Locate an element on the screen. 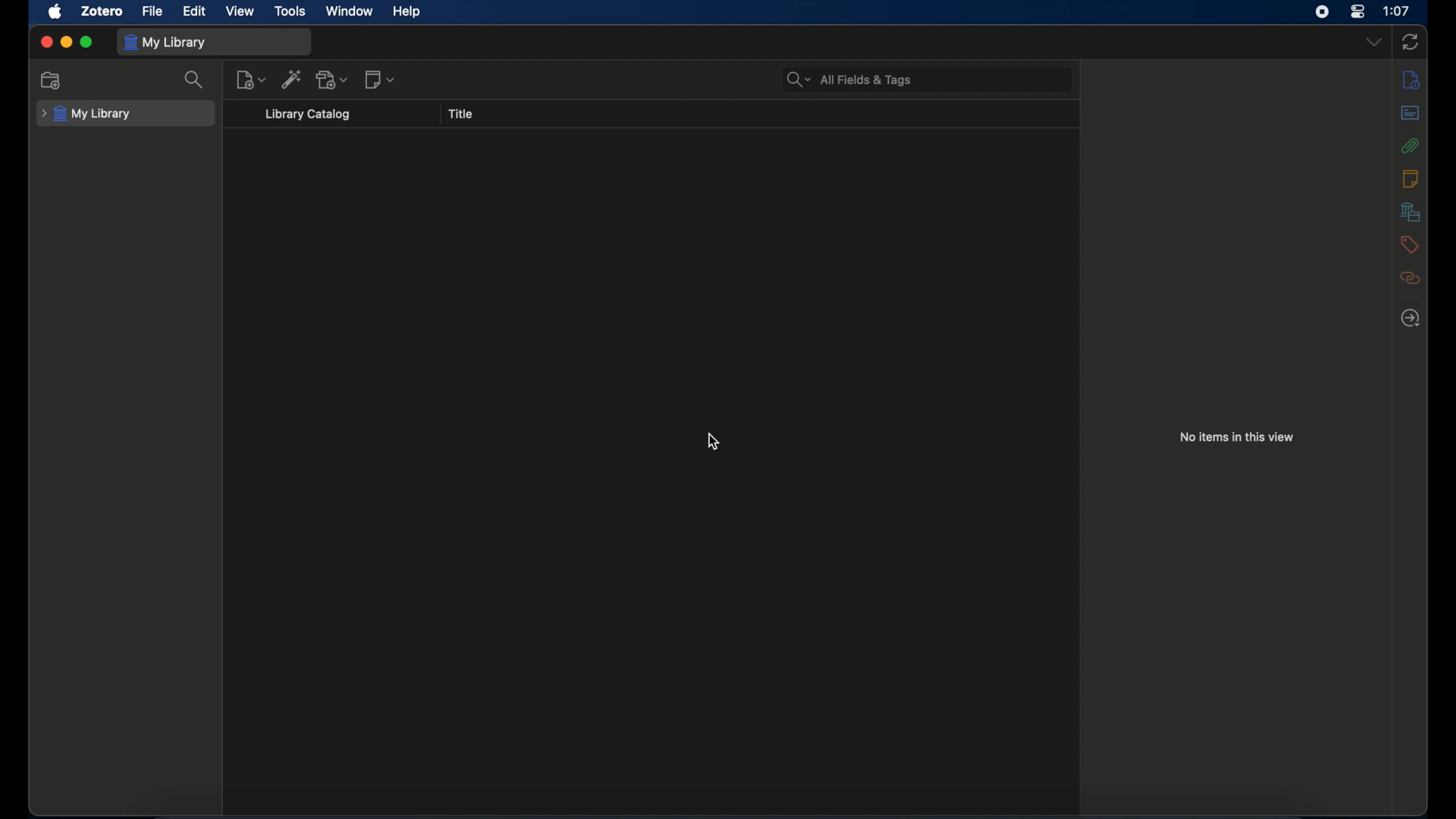 This screenshot has width=1456, height=819. notes is located at coordinates (1409, 178).